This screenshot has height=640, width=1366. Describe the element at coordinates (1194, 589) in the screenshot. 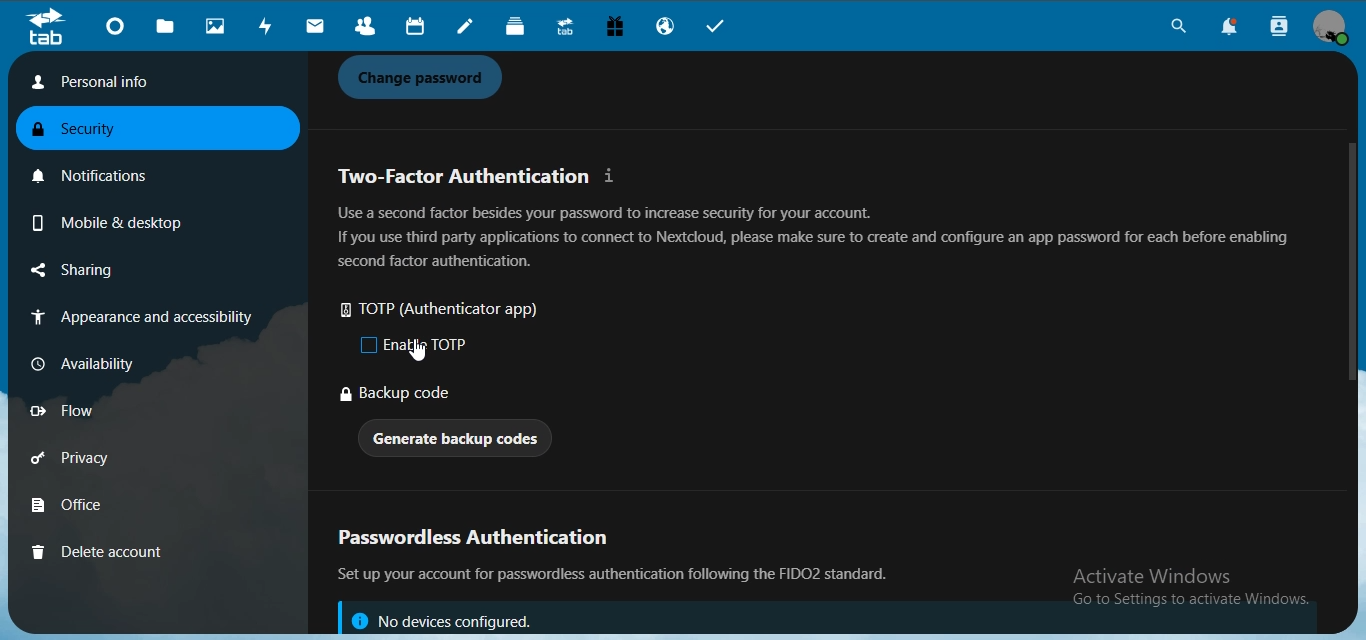

I see `Activate Windows
Go to Settings to activate Windows.` at that location.